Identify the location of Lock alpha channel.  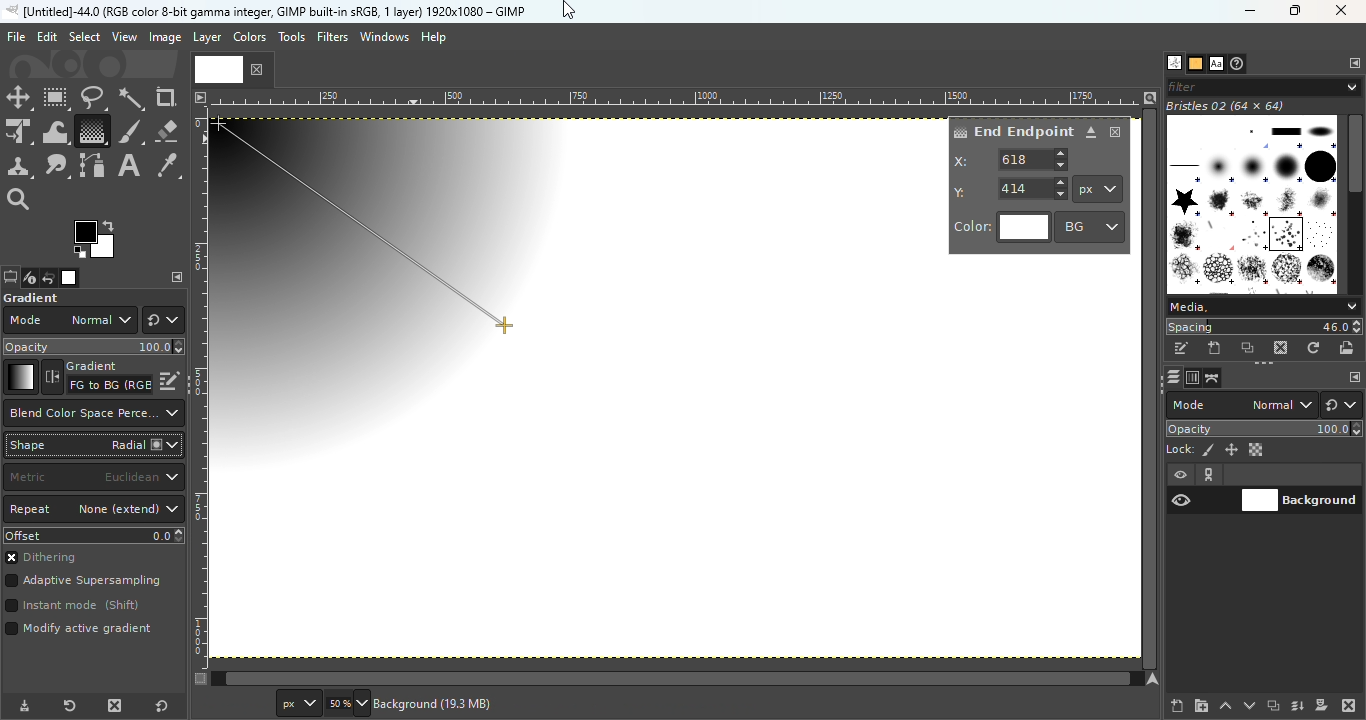
(1258, 450).